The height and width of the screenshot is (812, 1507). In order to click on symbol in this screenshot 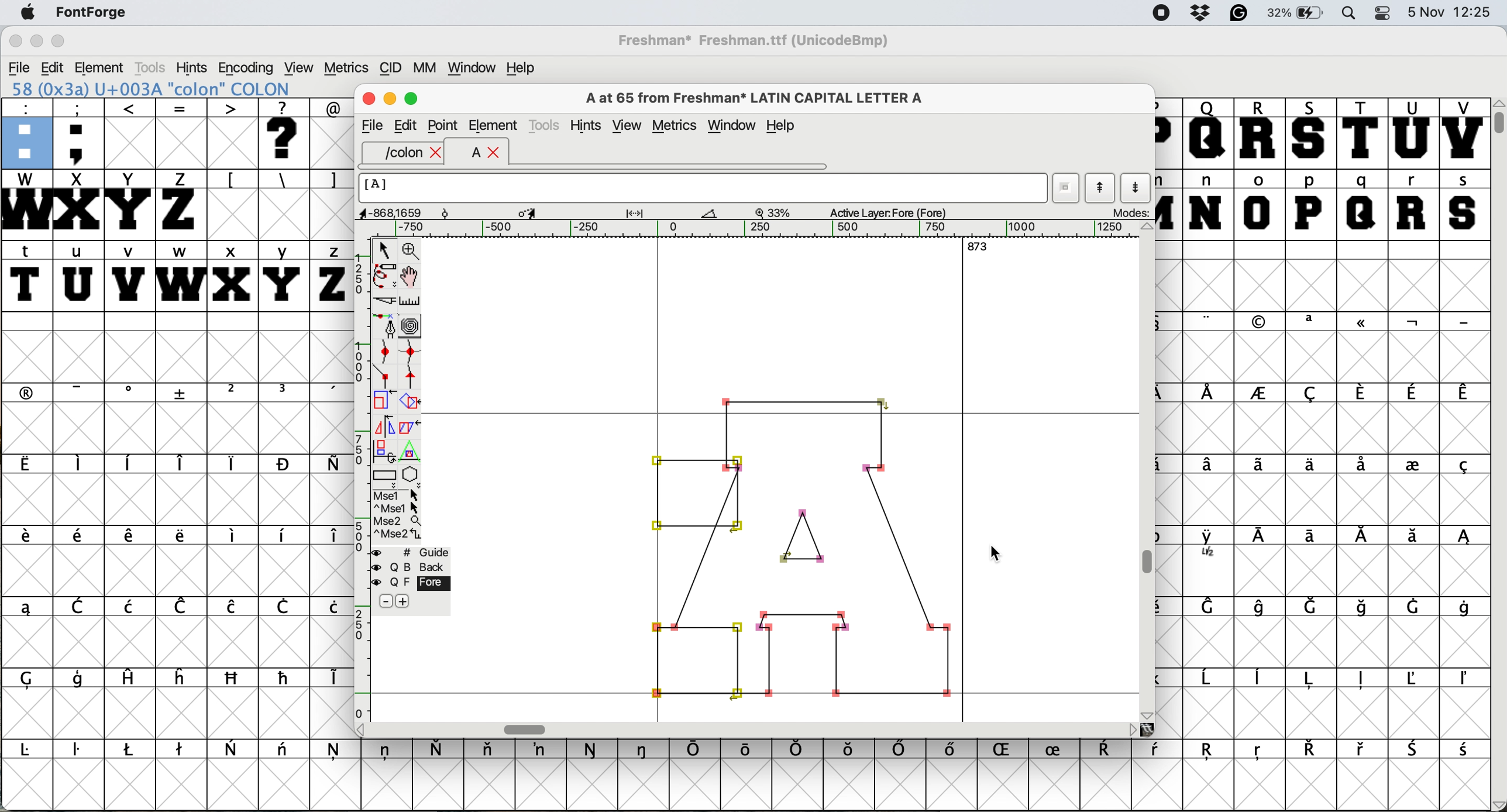, I will do `click(130, 393)`.